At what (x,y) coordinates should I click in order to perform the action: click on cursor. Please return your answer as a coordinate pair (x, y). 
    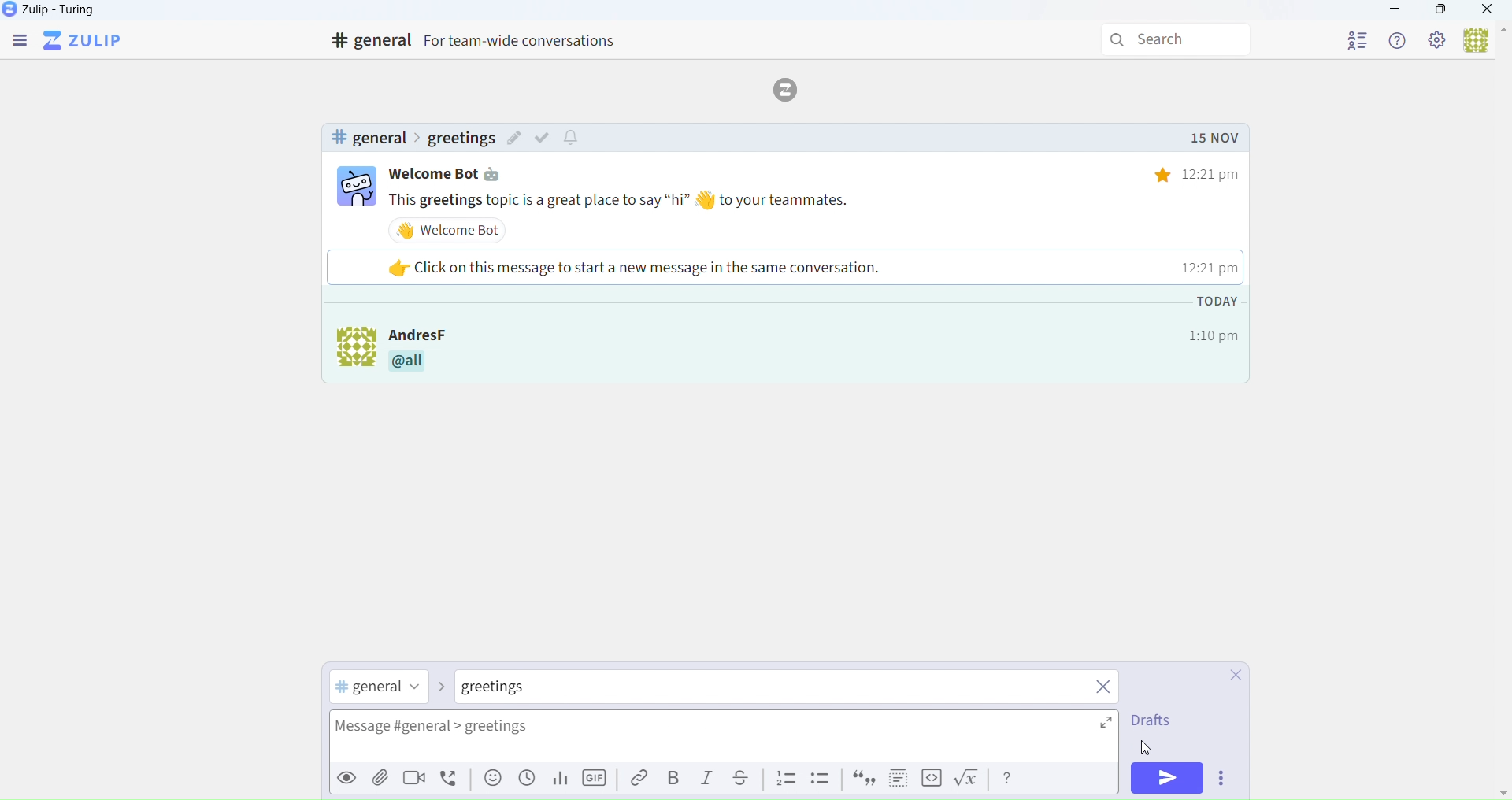
    Looking at the image, I should click on (1147, 748).